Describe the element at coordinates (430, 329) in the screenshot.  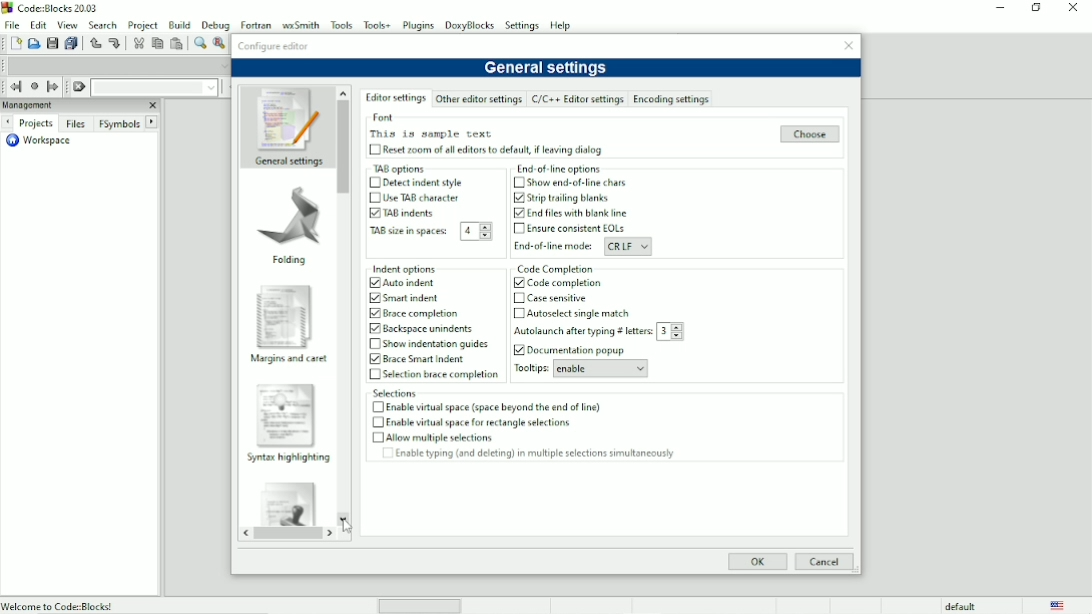
I see `Backspace urindents` at that location.